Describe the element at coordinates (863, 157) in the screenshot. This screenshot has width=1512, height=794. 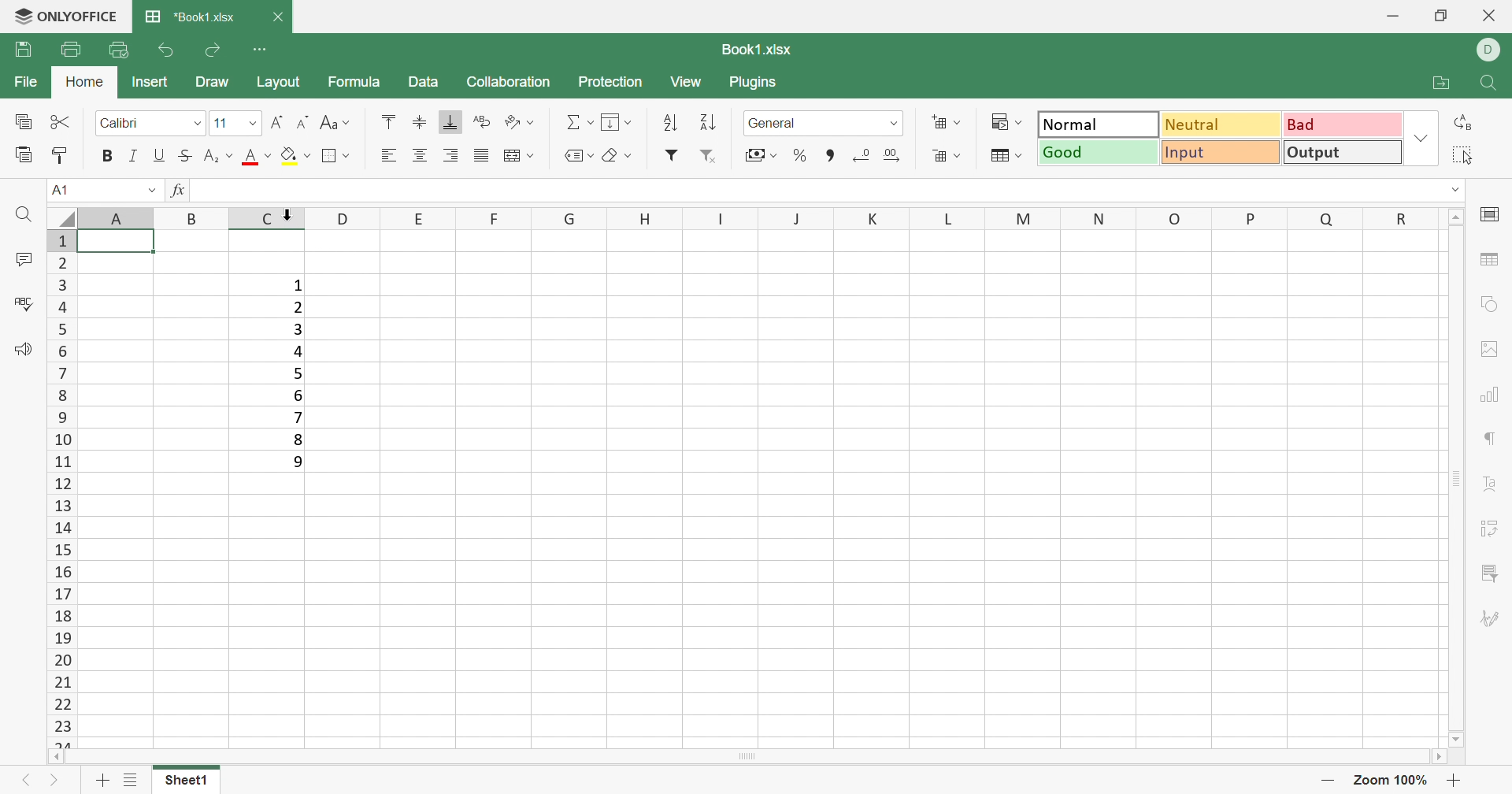
I see `Decrease decimals` at that location.